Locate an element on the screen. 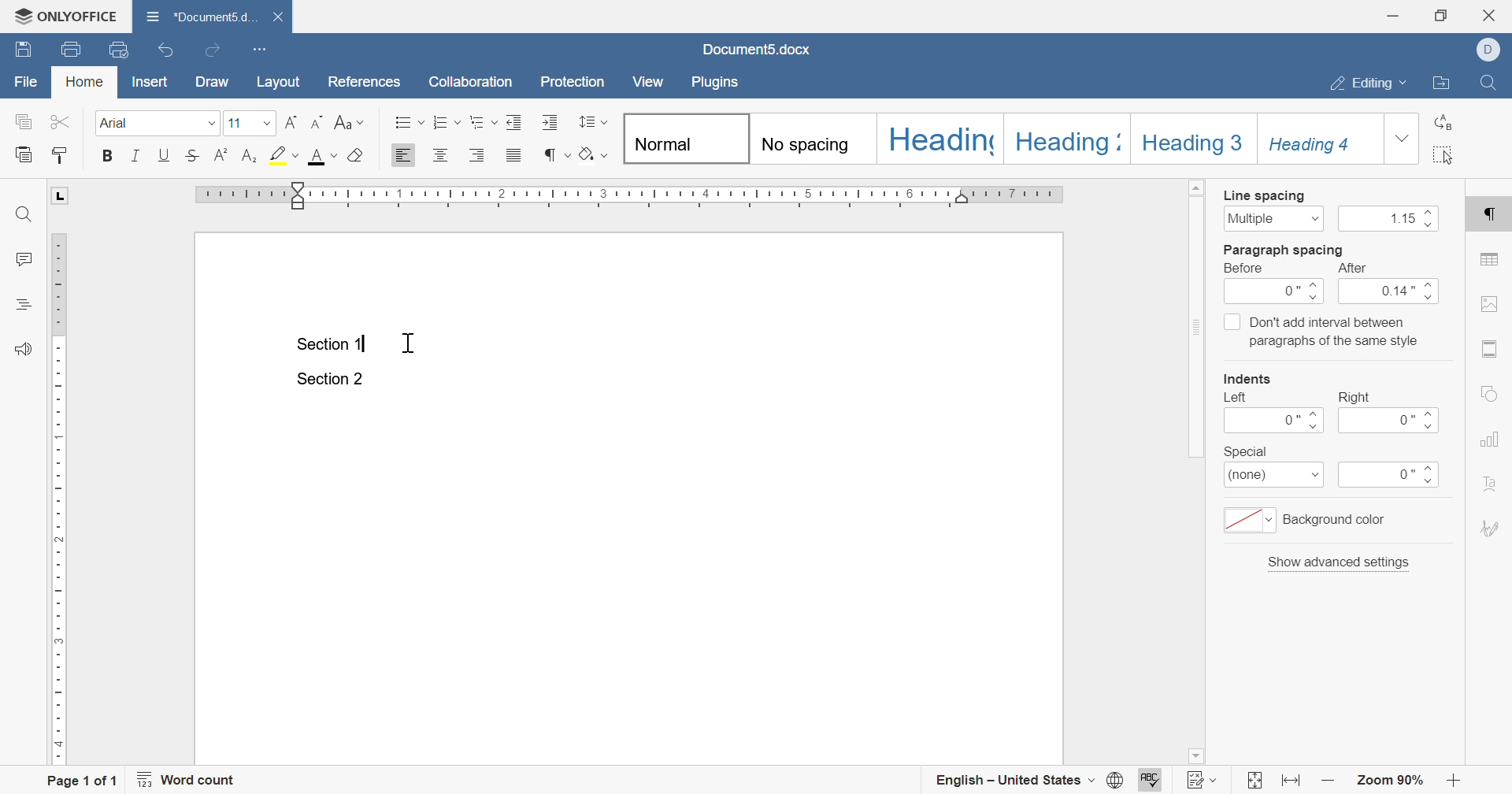 Image resolution: width=1512 pixels, height=794 pixels. table settings is located at coordinates (1491, 259).